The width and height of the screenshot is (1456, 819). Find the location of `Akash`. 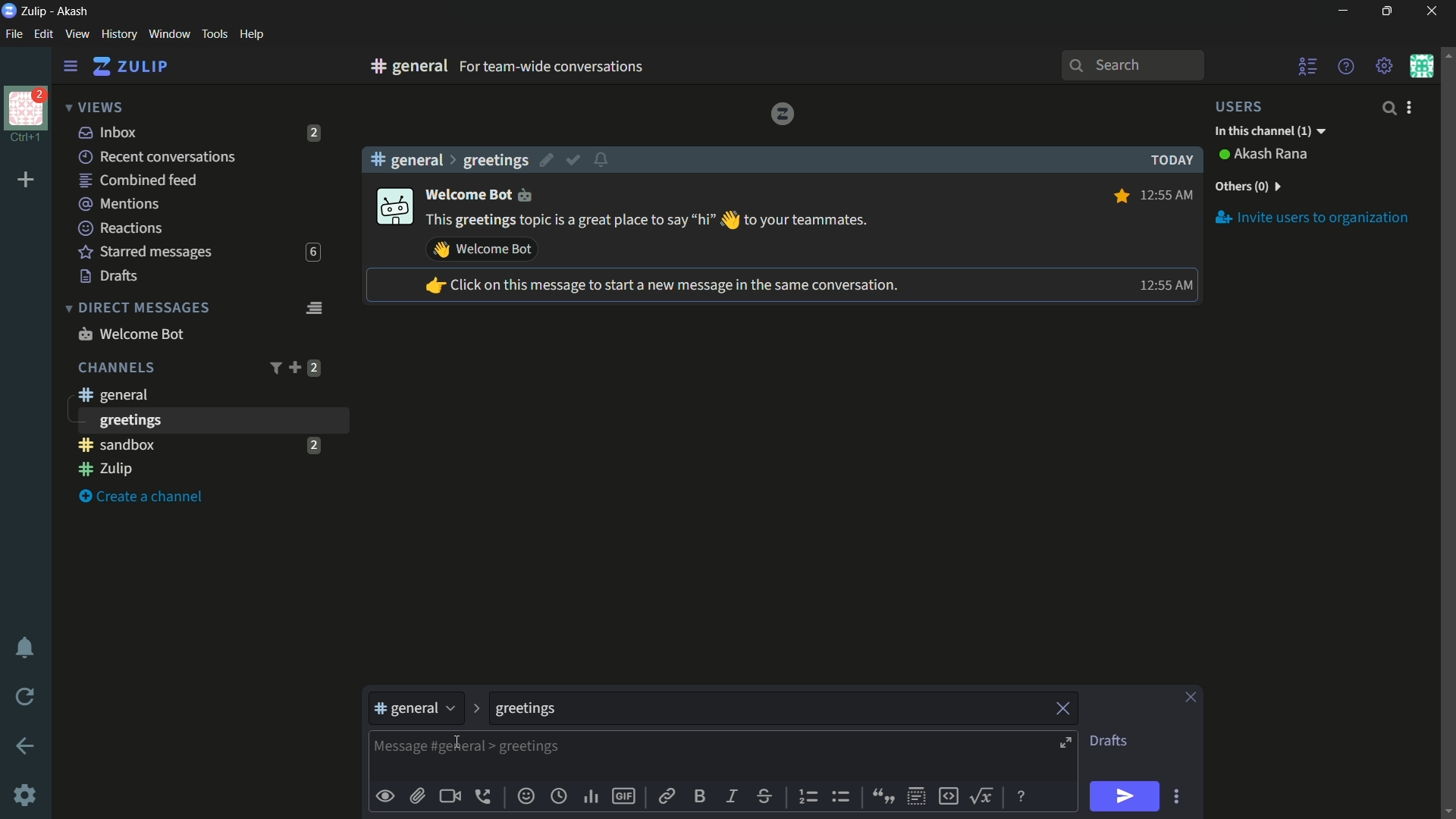

Akash is located at coordinates (74, 12).